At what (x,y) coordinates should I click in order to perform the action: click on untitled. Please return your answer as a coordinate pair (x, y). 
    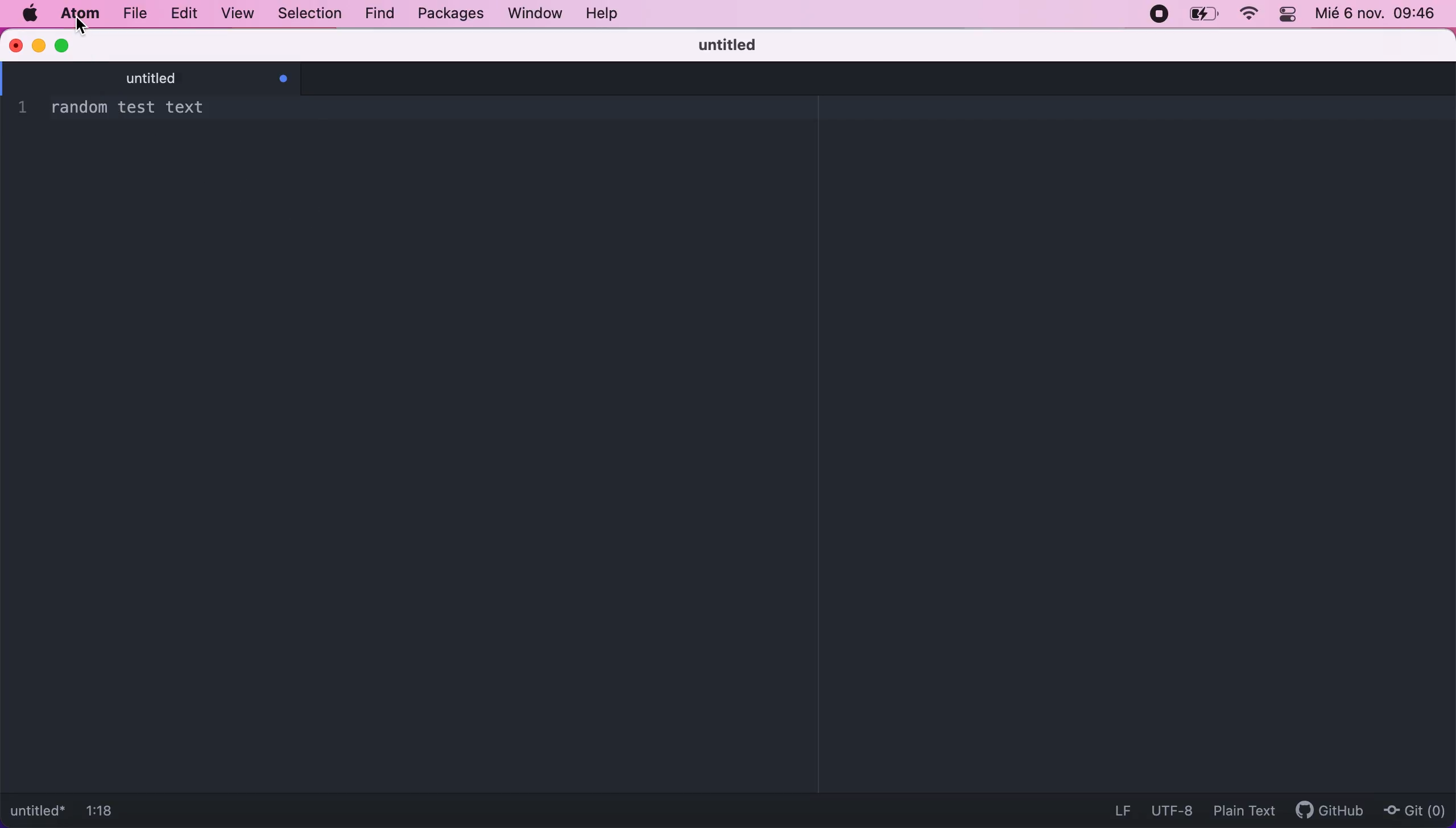
    Looking at the image, I should click on (728, 45).